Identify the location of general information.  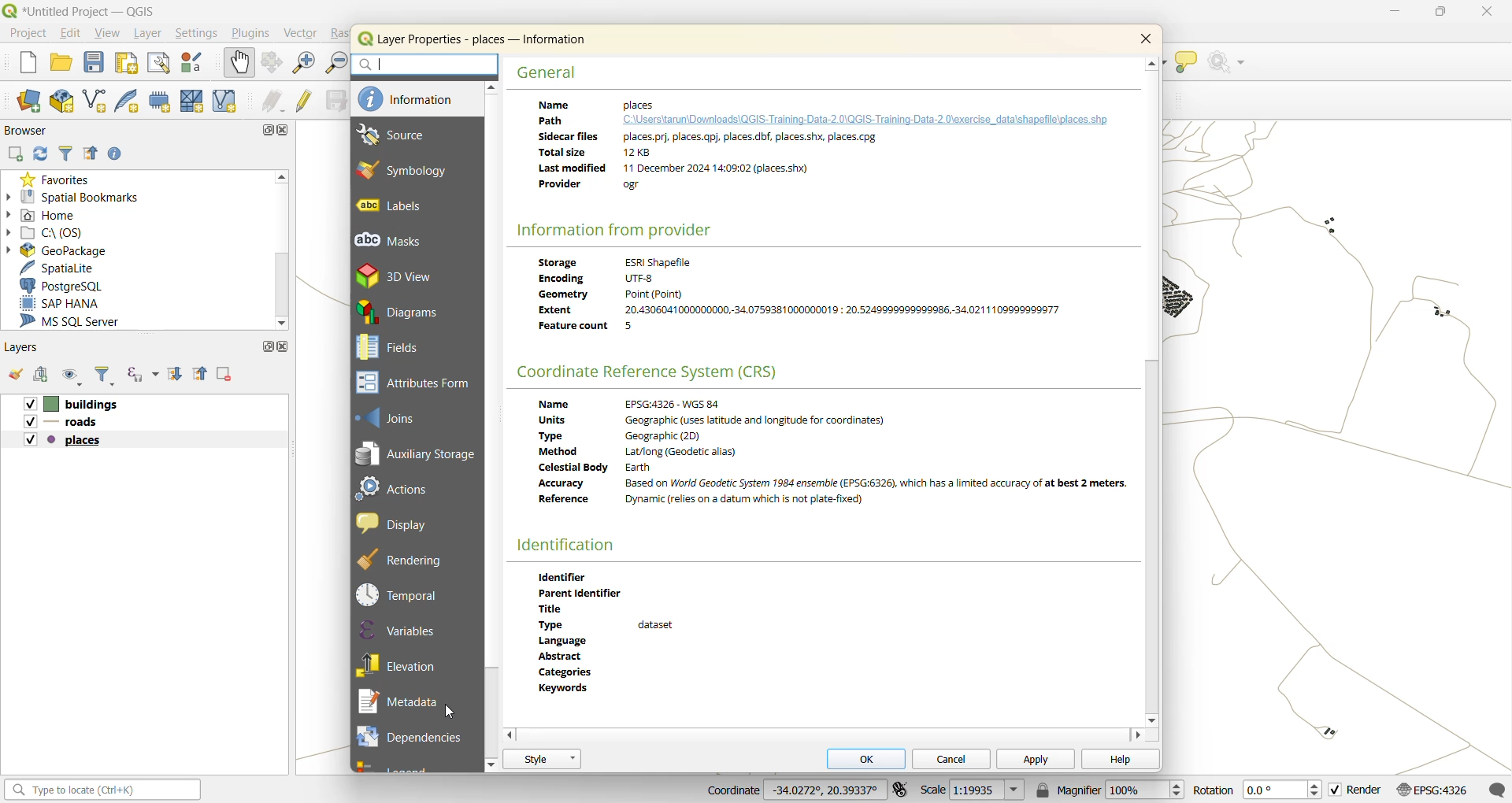
(817, 152).